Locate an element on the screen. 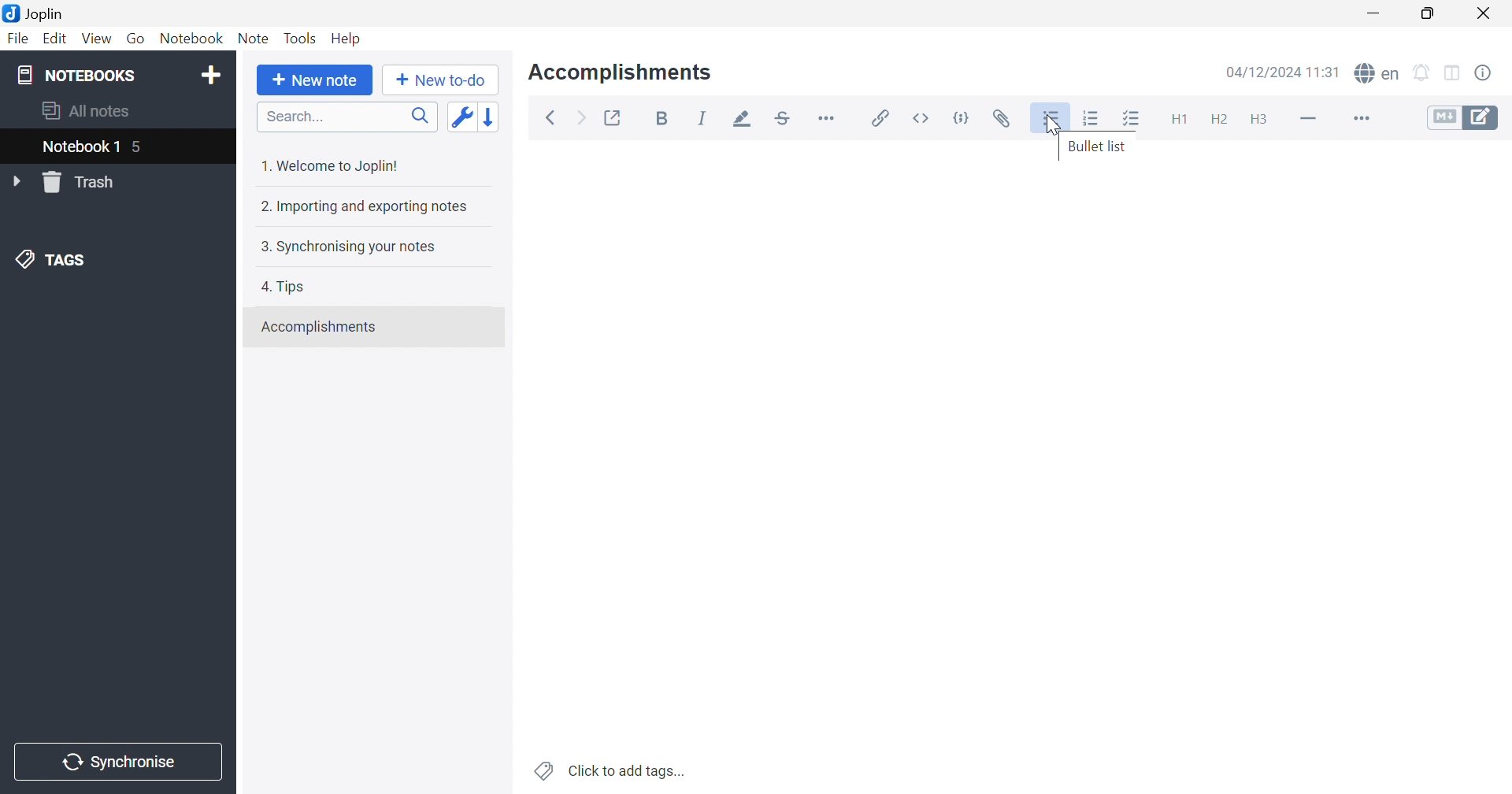 The image size is (1512, 794). Click to add tags... is located at coordinates (611, 770).